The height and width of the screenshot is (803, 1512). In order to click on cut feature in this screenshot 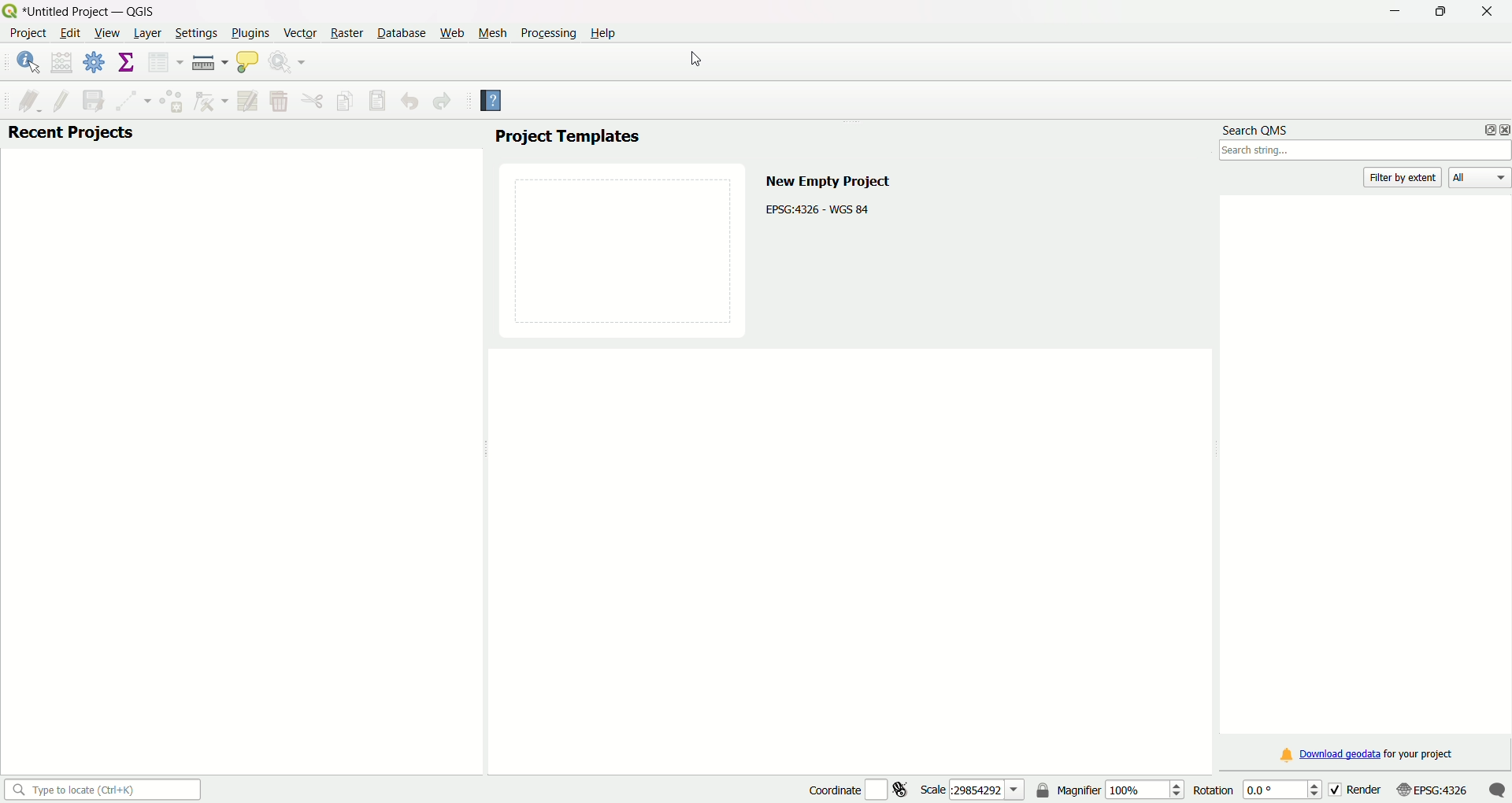, I will do `click(313, 101)`.